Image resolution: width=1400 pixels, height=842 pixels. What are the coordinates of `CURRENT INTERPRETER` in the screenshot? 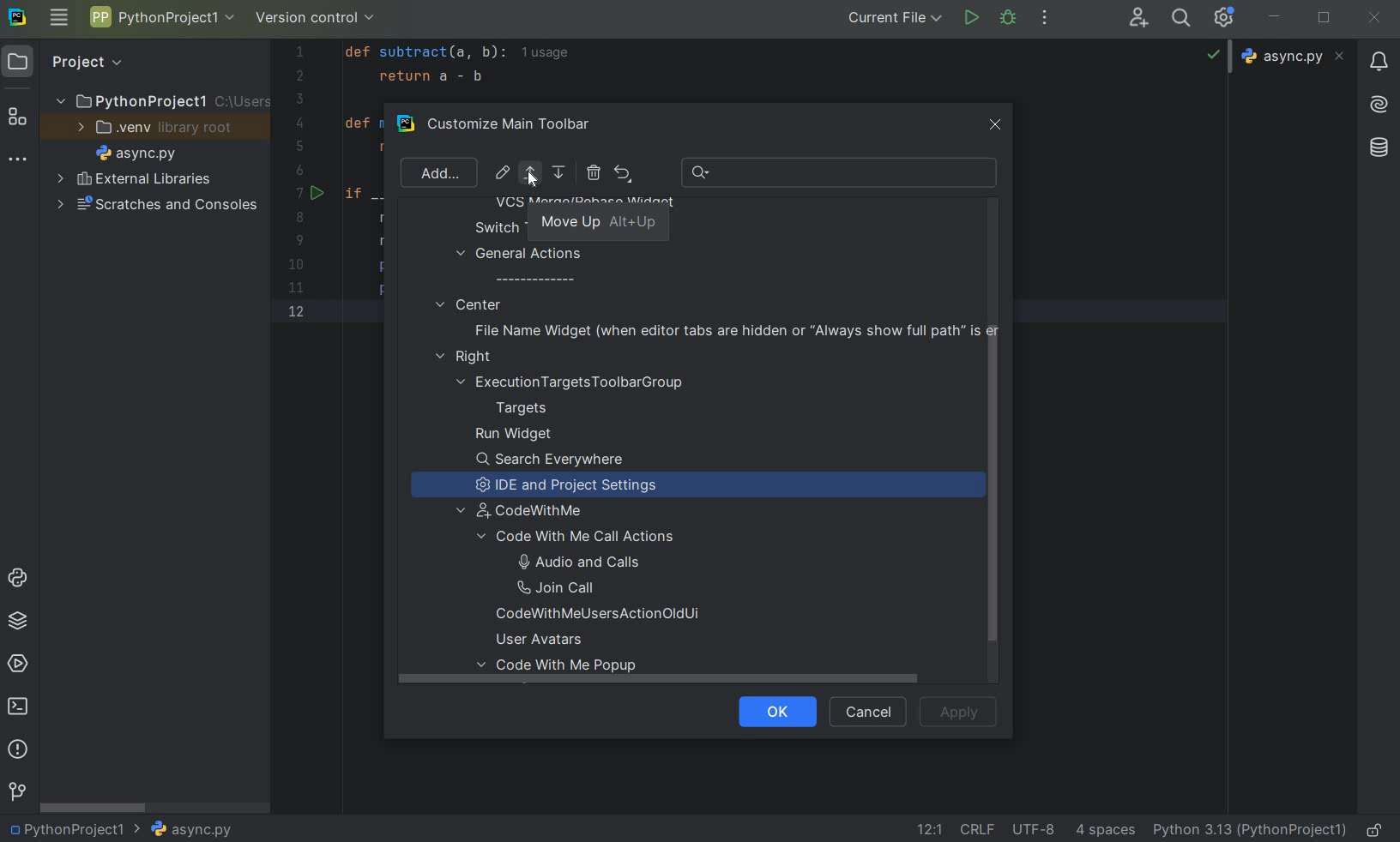 It's located at (1249, 829).